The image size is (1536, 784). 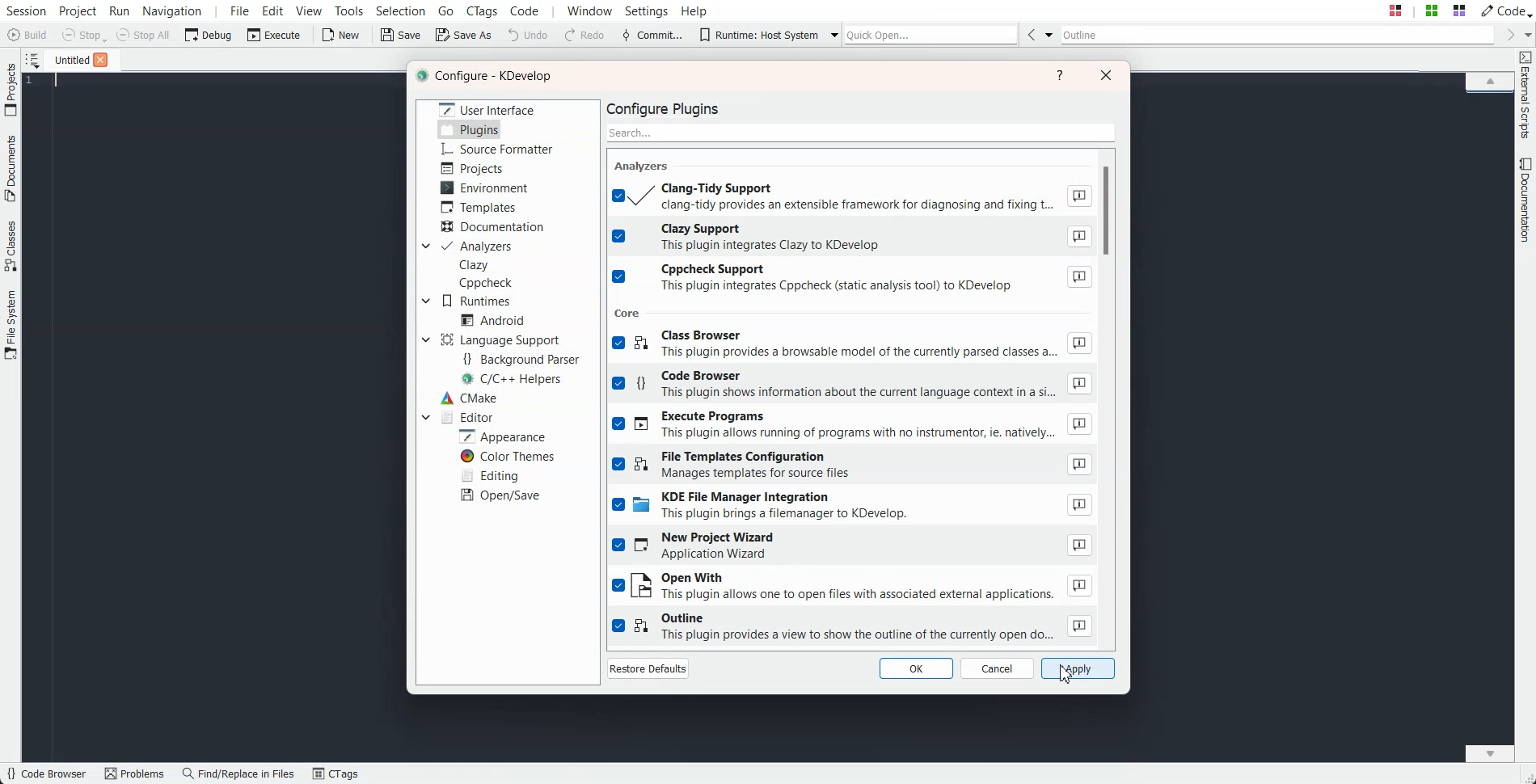 What do you see at coordinates (487, 77) in the screenshot?
I see `Text` at bounding box center [487, 77].